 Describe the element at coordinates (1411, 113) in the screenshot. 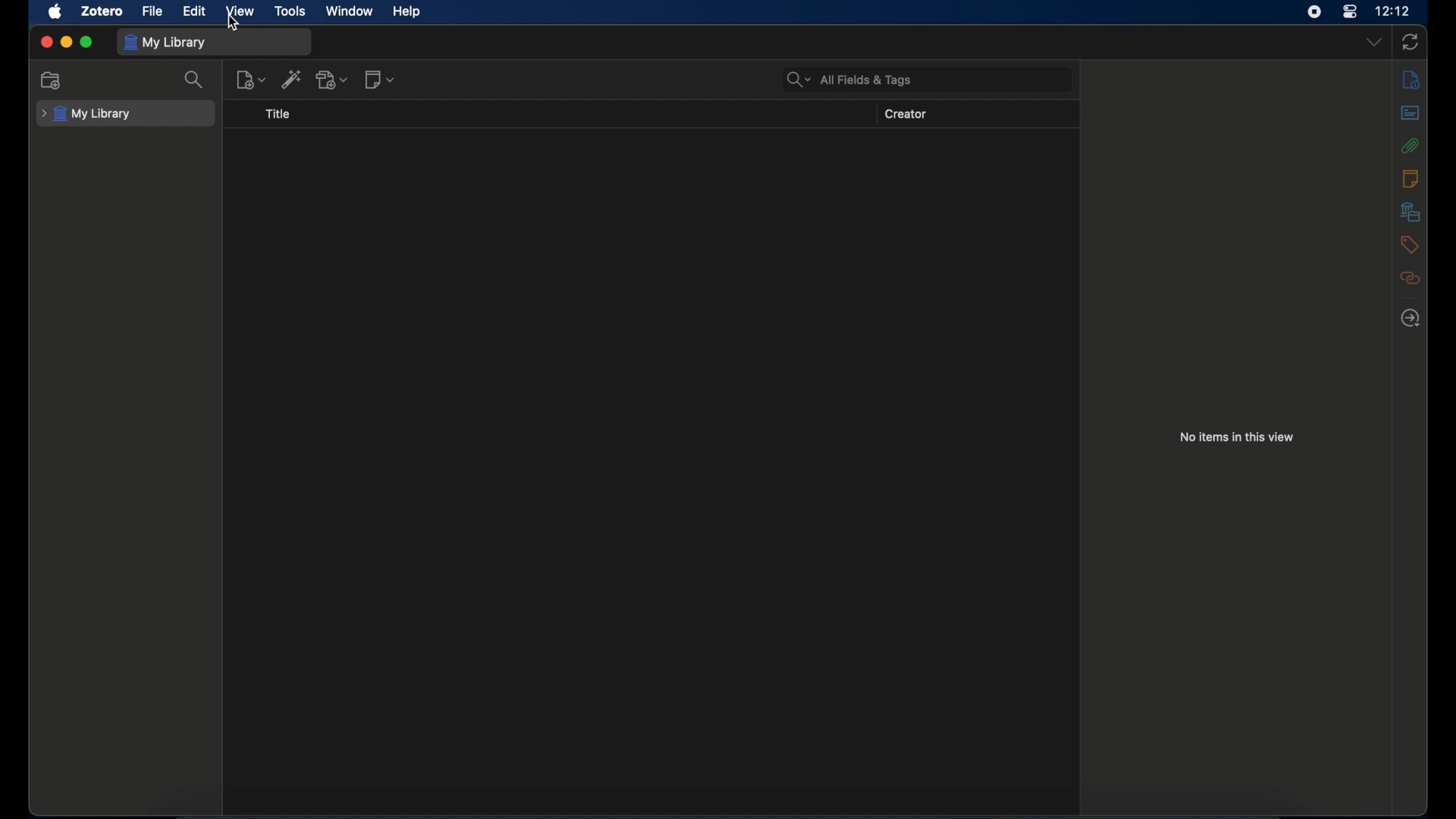

I see `abstract` at that location.